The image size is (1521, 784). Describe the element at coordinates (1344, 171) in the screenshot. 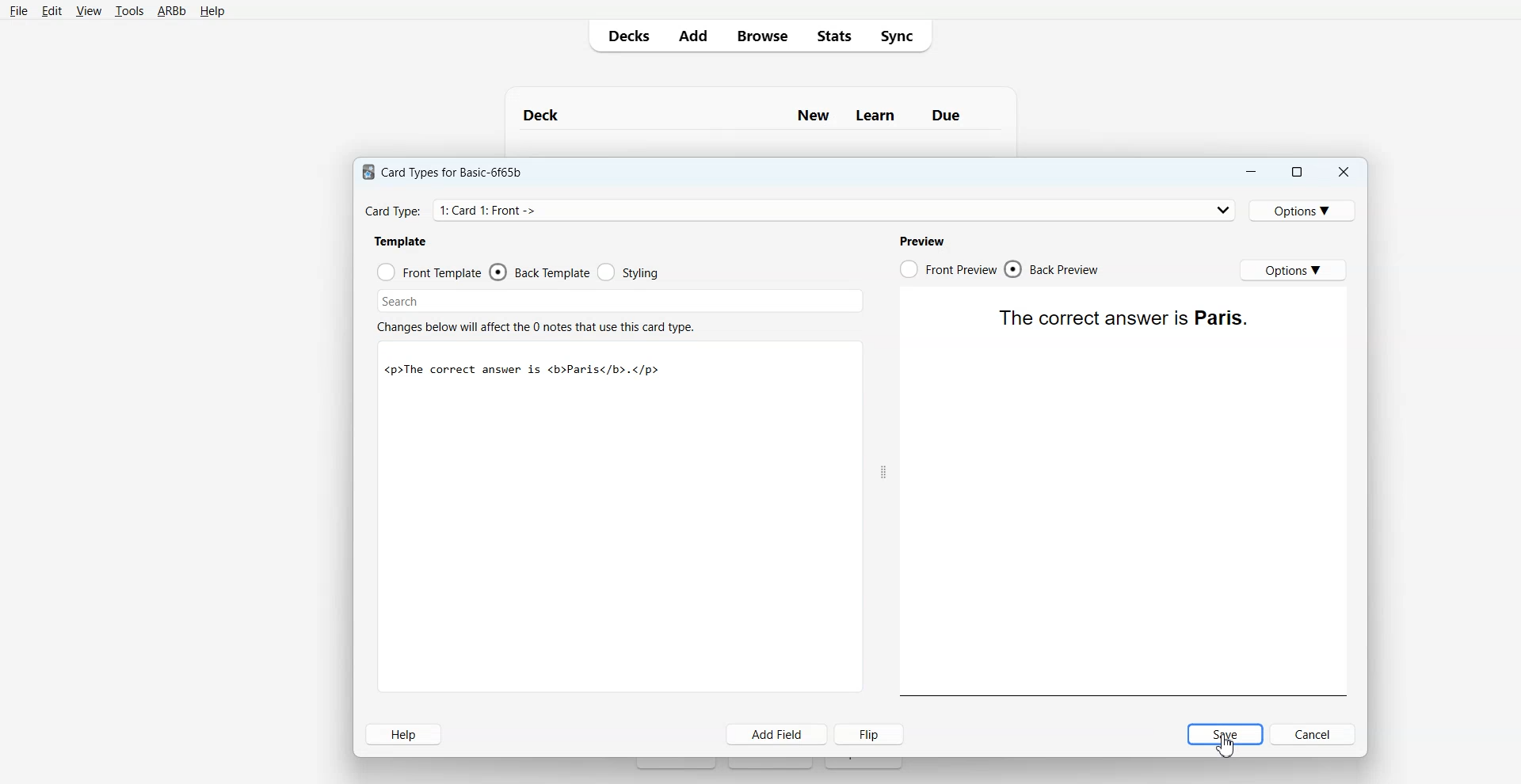

I see `Close` at that location.